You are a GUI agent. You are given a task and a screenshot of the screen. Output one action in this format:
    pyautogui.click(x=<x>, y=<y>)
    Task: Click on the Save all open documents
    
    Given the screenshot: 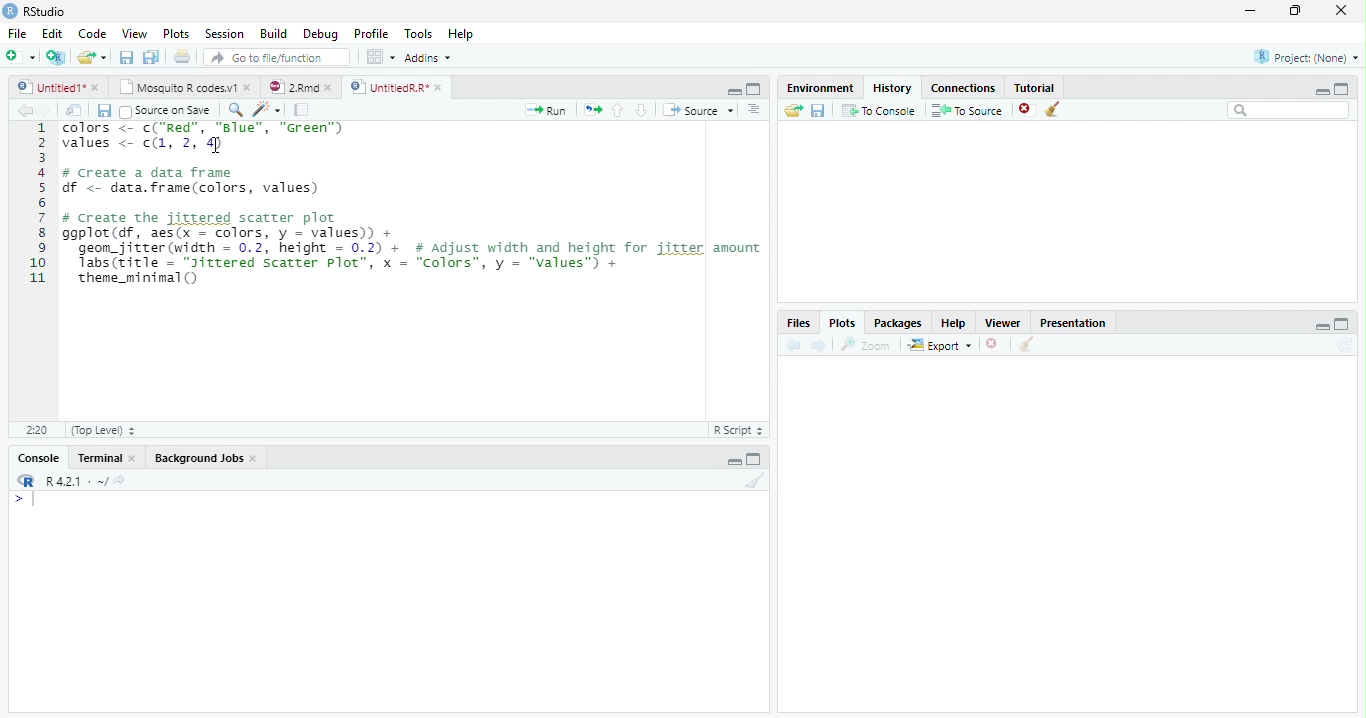 What is the action you would take?
    pyautogui.click(x=152, y=57)
    